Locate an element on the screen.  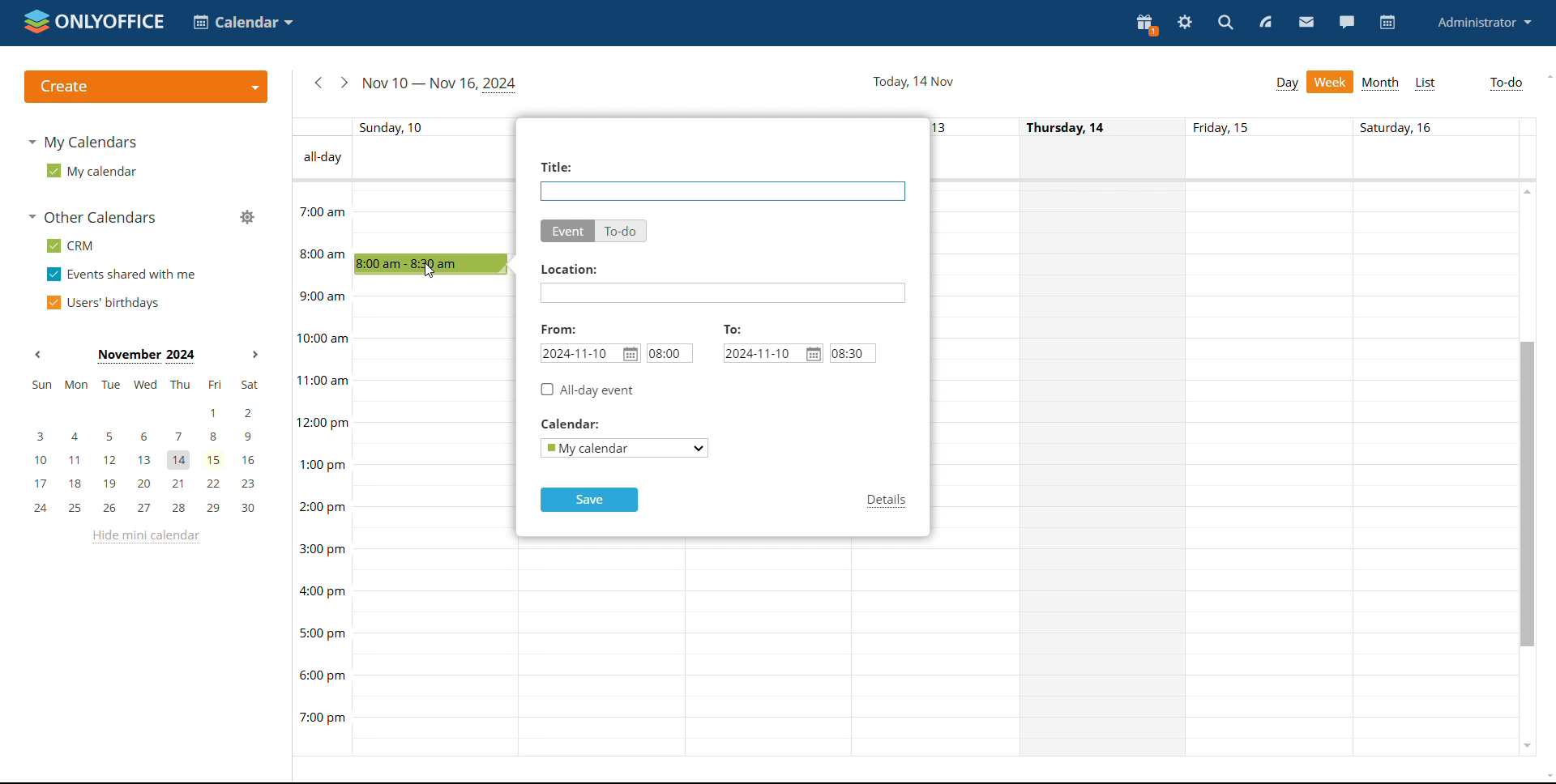
to-do is located at coordinates (622, 231).